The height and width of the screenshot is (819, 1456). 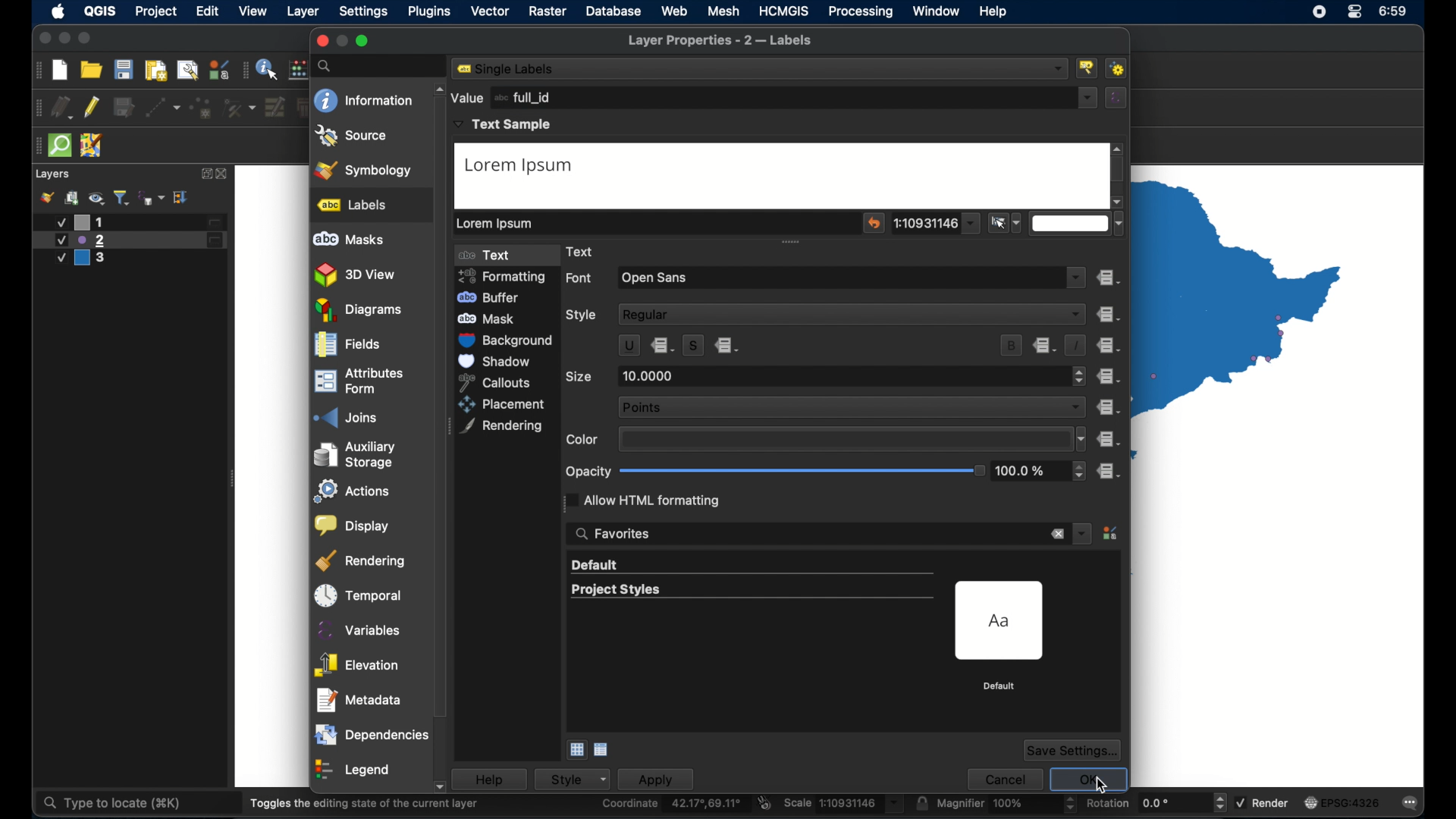 I want to click on attributes form, so click(x=359, y=380).